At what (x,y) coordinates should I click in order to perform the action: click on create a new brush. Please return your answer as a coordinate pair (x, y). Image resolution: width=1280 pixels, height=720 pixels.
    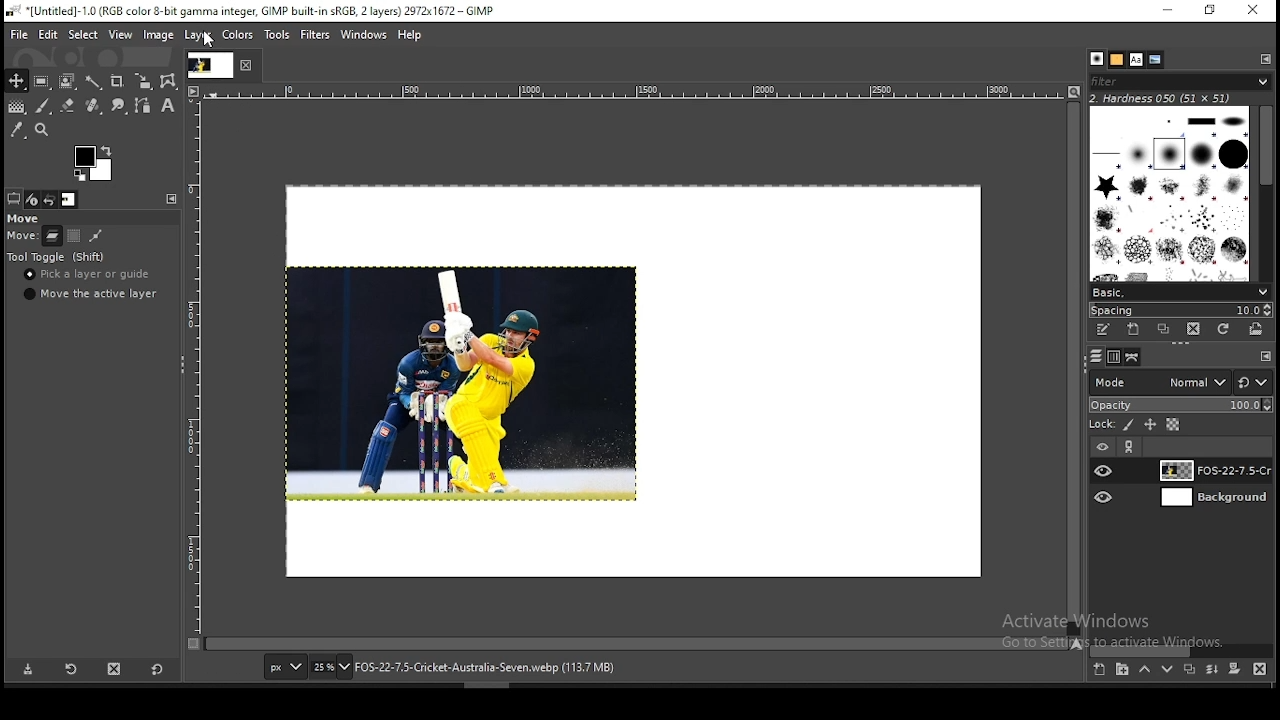
    Looking at the image, I should click on (1133, 329).